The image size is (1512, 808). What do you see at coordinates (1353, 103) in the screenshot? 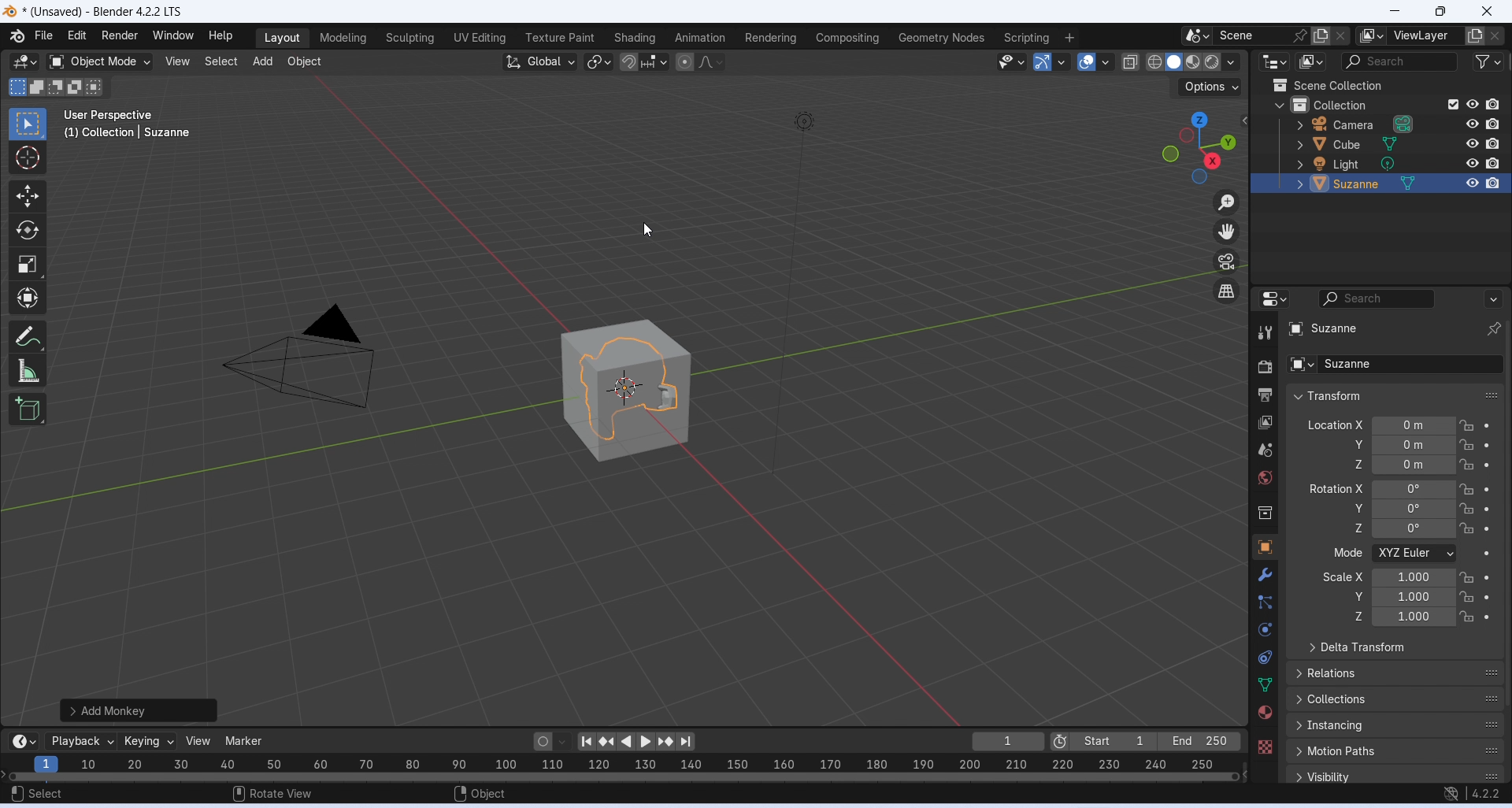
I see `collection` at bounding box center [1353, 103].